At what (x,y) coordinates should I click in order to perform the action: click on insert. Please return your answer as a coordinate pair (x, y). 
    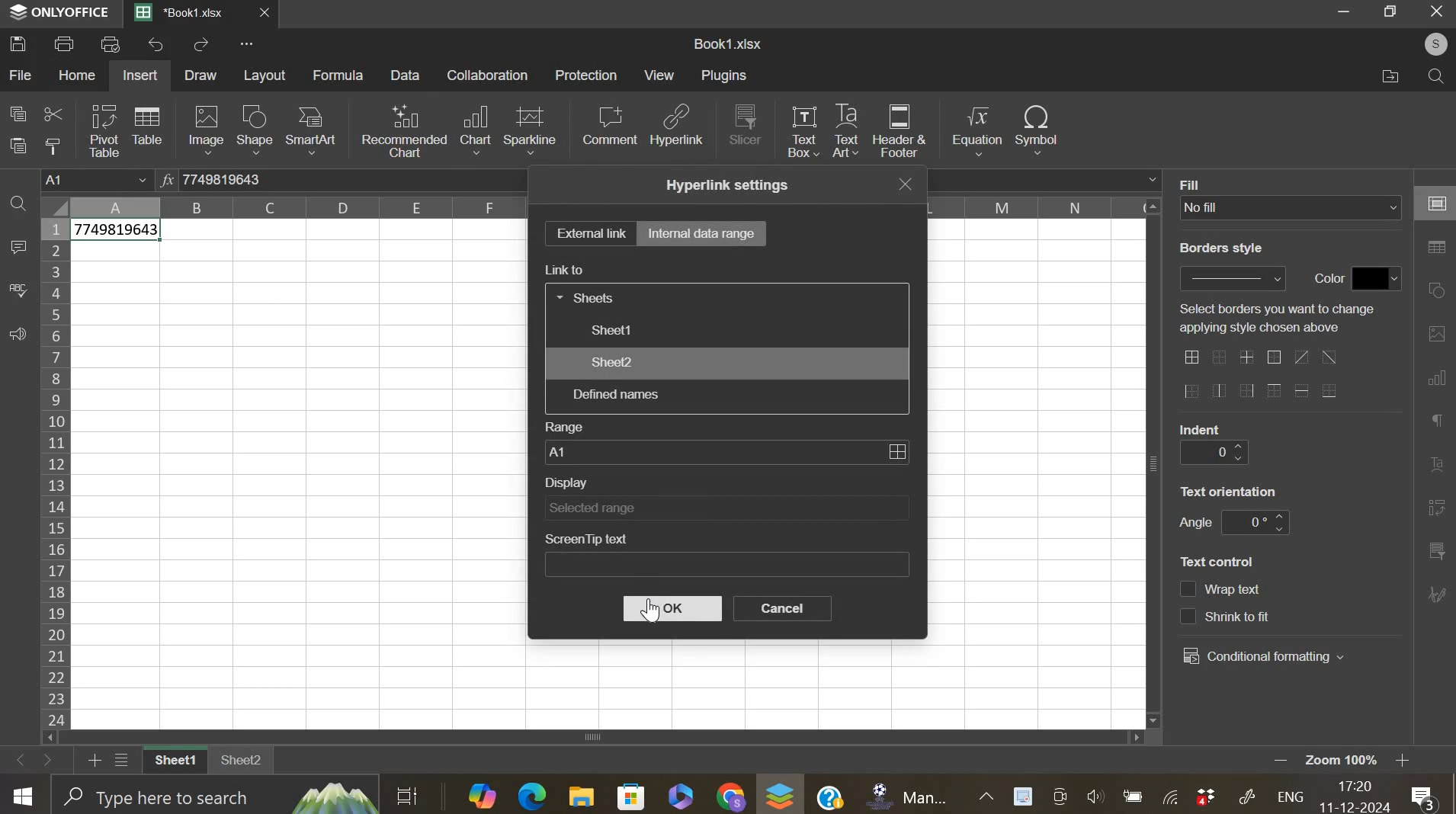
    Looking at the image, I should click on (140, 75).